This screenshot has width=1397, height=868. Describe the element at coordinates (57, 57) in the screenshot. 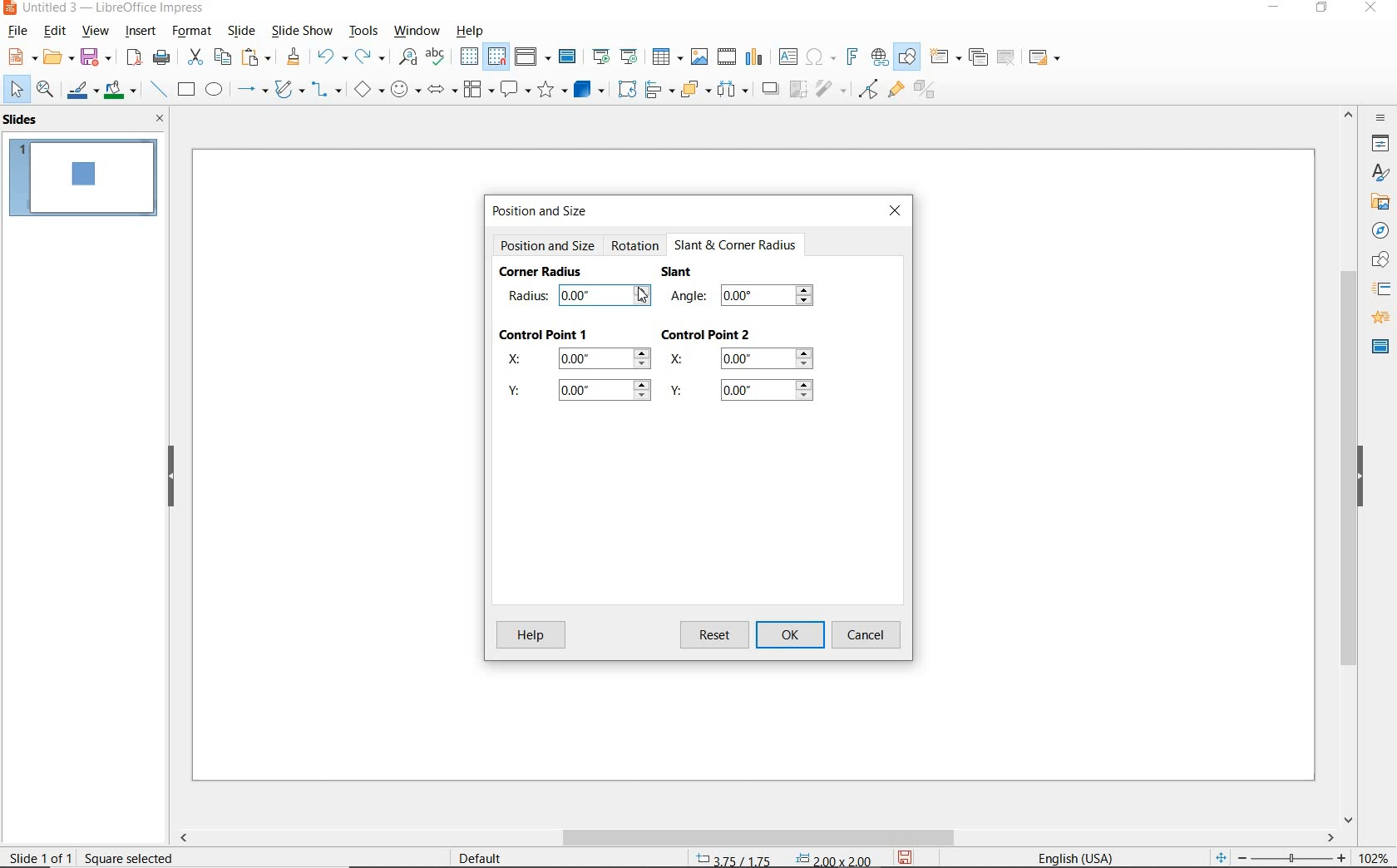

I see `open` at that location.